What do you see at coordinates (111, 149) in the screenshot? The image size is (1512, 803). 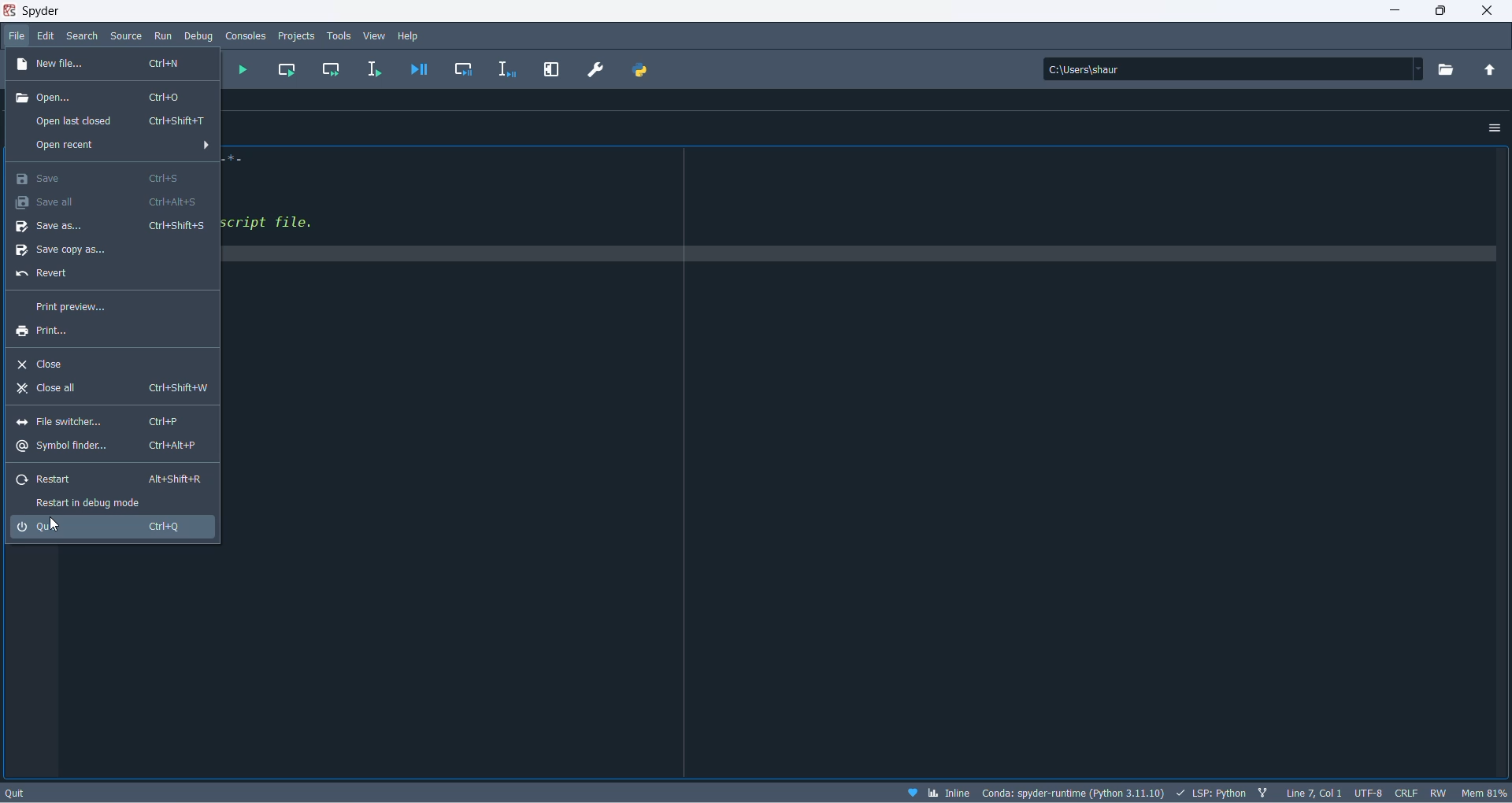 I see `open recent` at bounding box center [111, 149].